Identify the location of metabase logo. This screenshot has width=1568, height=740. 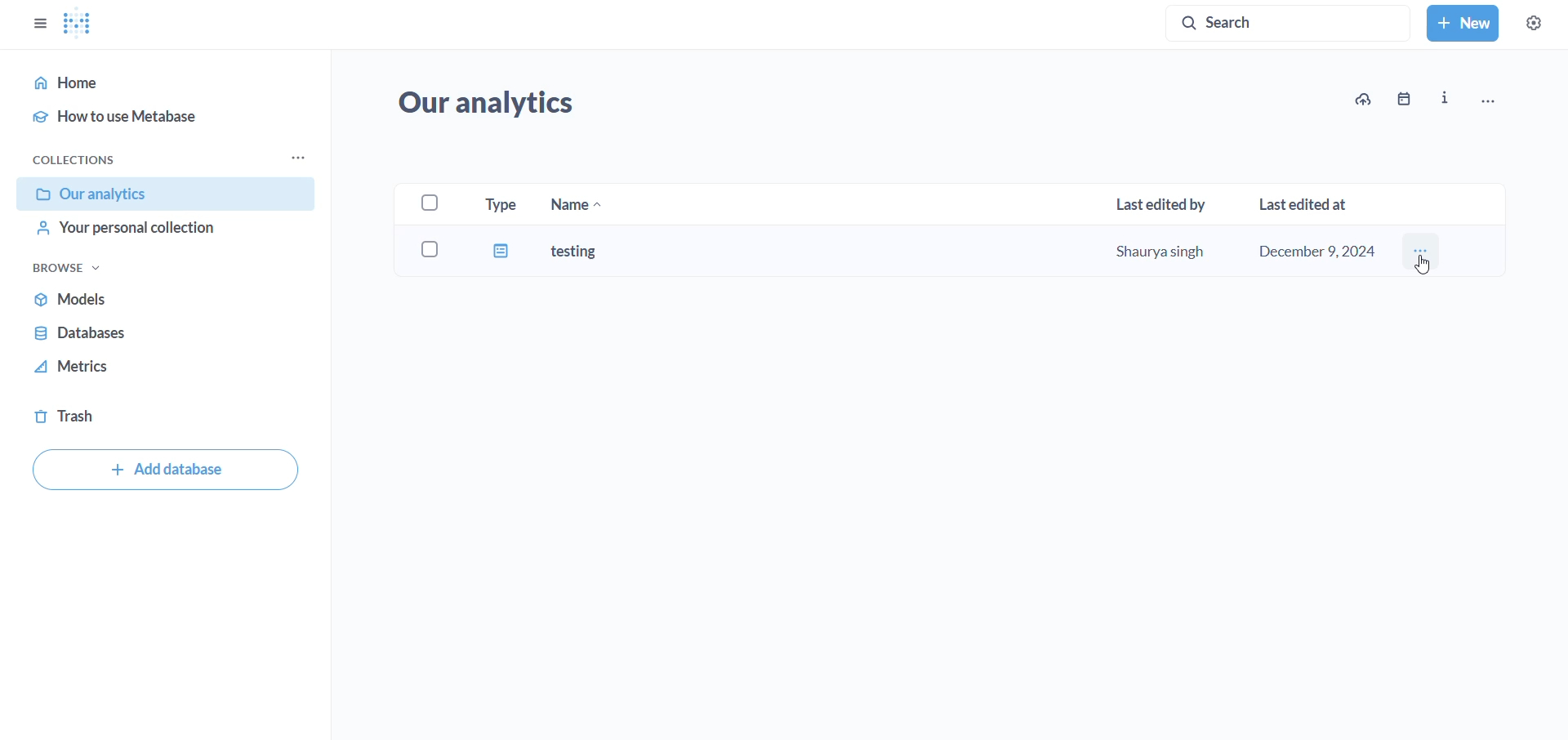
(77, 23).